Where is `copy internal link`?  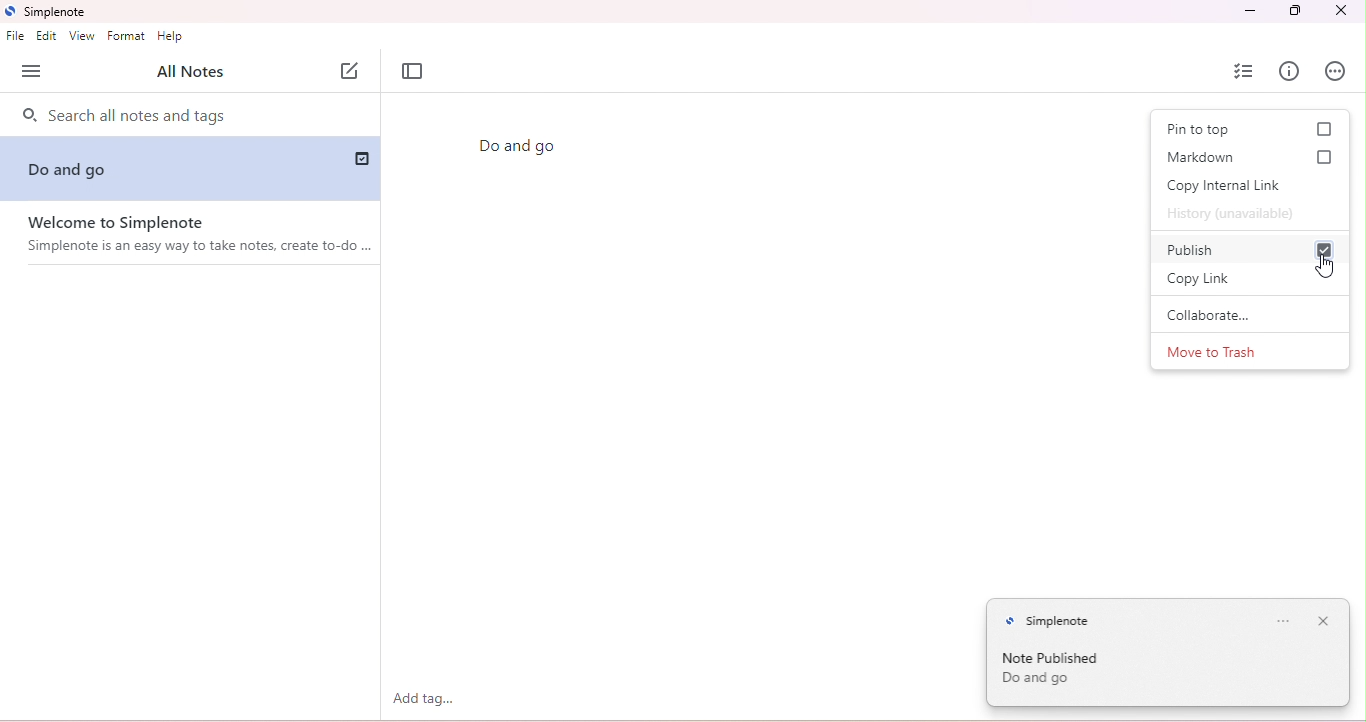
copy internal link is located at coordinates (1229, 186).